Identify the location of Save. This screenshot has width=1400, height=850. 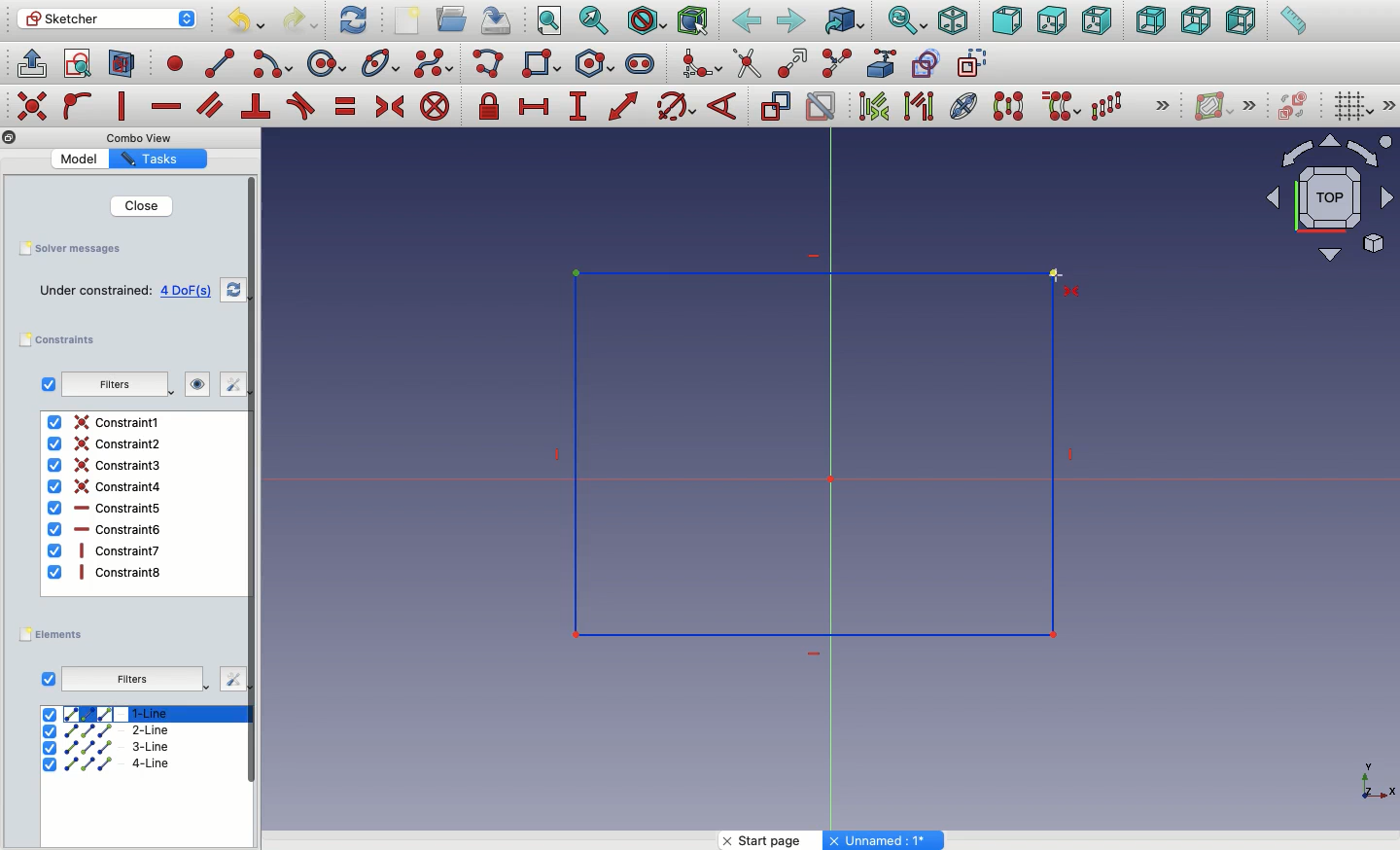
(494, 18).